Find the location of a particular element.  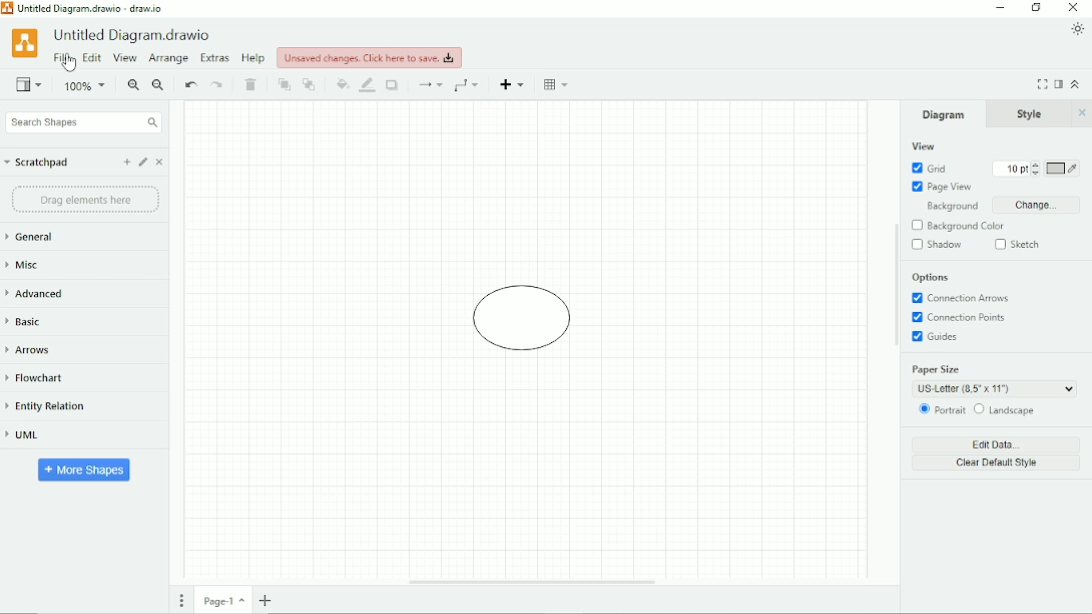

Page number is located at coordinates (224, 603).